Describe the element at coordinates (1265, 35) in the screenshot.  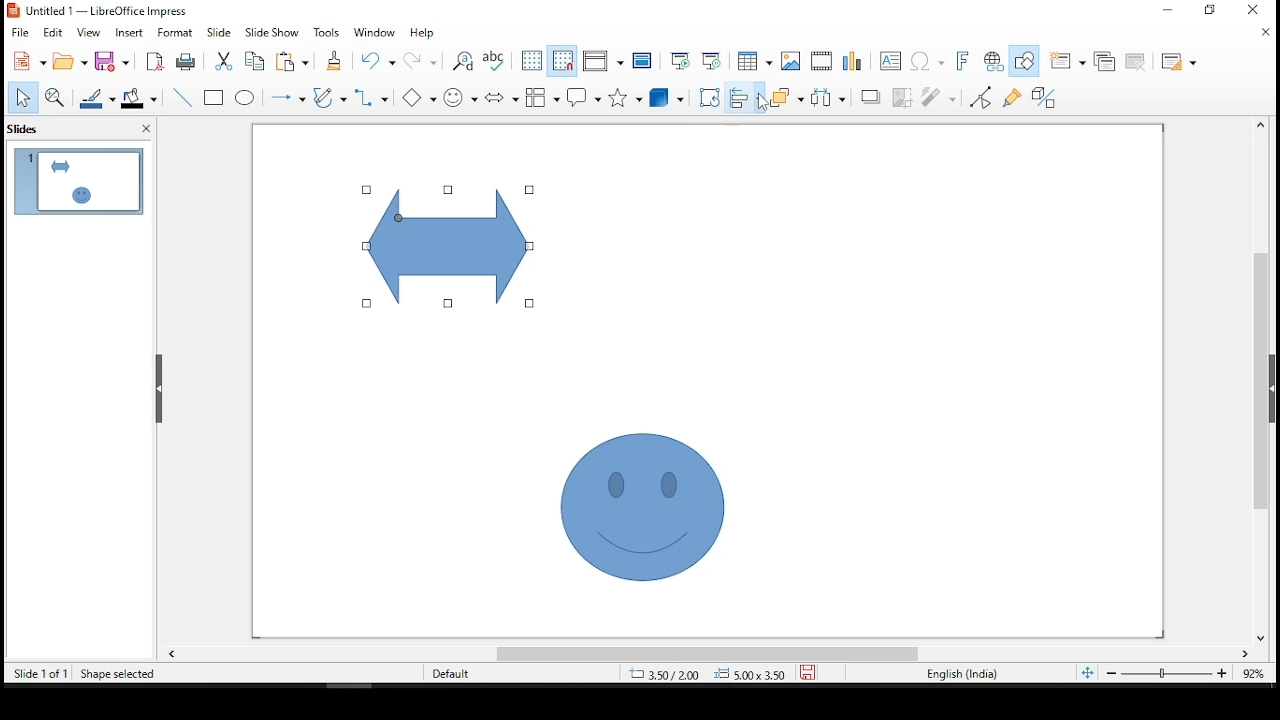
I see `close` at that location.